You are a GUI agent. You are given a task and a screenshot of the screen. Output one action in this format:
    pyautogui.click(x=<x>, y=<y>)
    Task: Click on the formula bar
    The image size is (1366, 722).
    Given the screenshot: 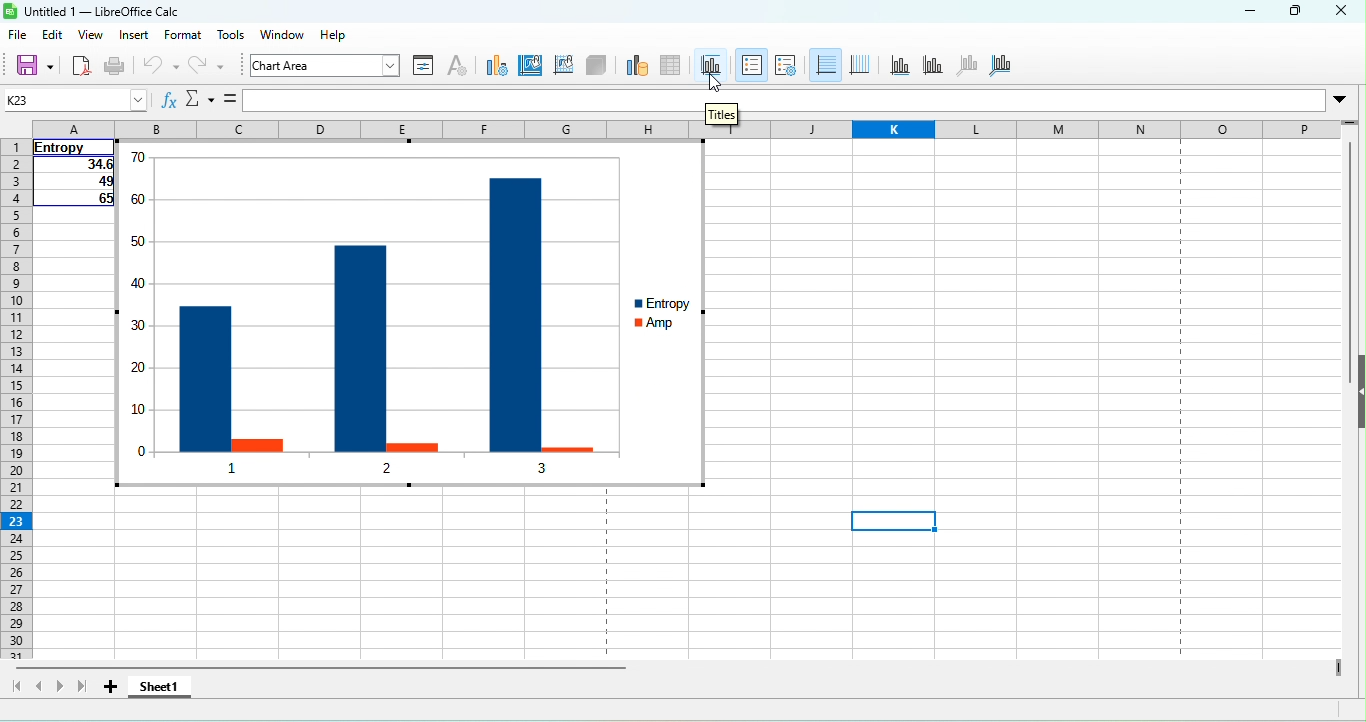 What is the action you would take?
    pyautogui.click(x=800, y=96)
    